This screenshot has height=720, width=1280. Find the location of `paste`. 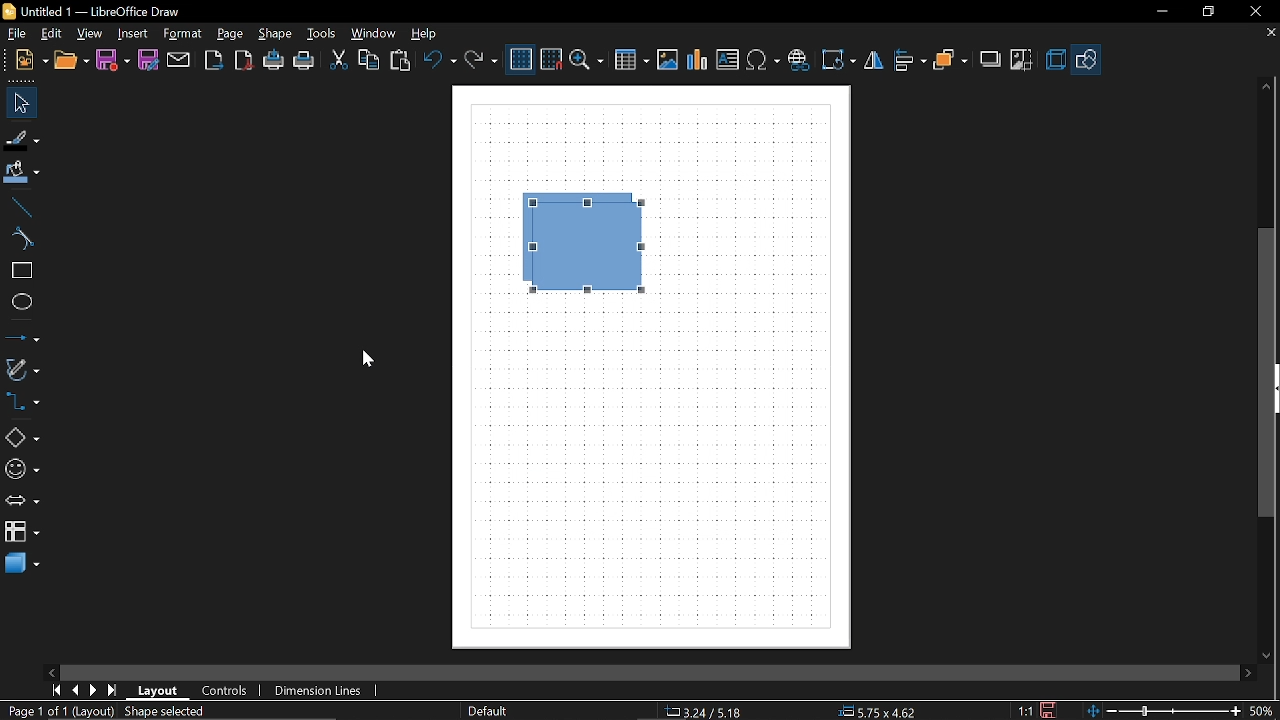

paste is located at coordinates (401, 61).